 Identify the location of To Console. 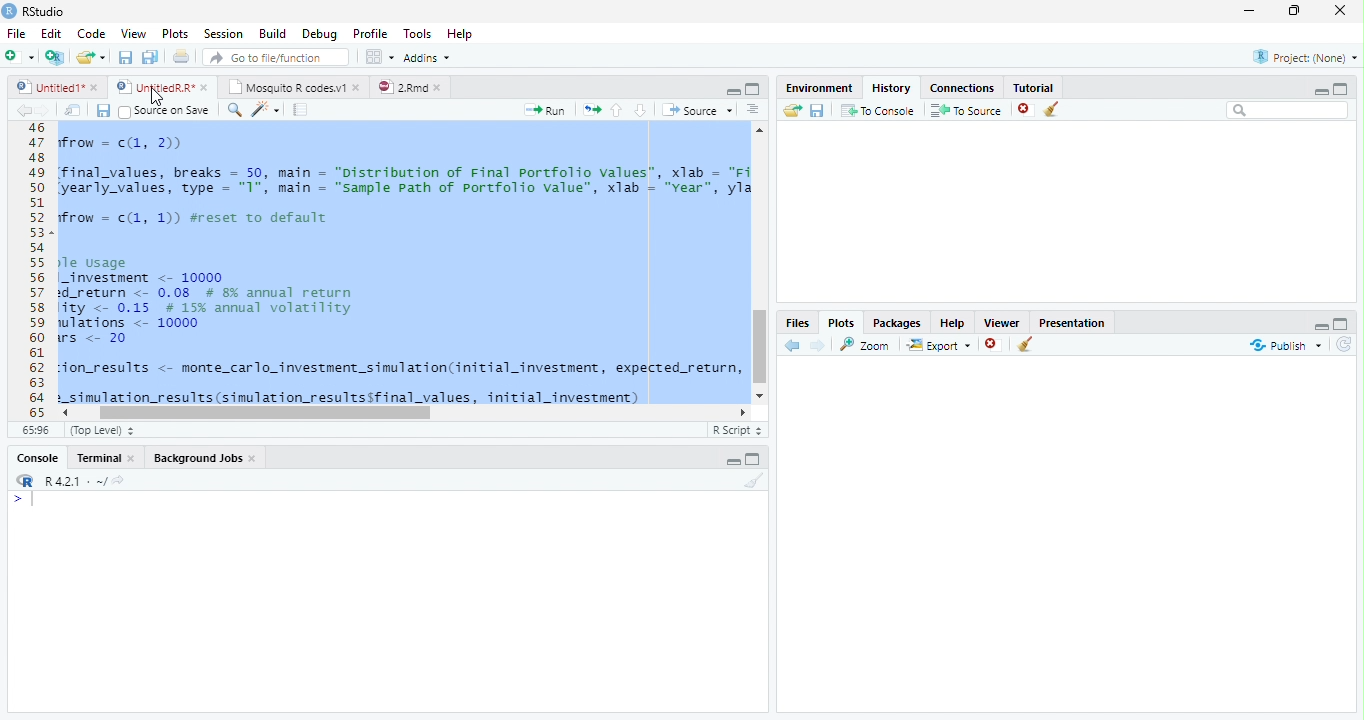
(877, 110).